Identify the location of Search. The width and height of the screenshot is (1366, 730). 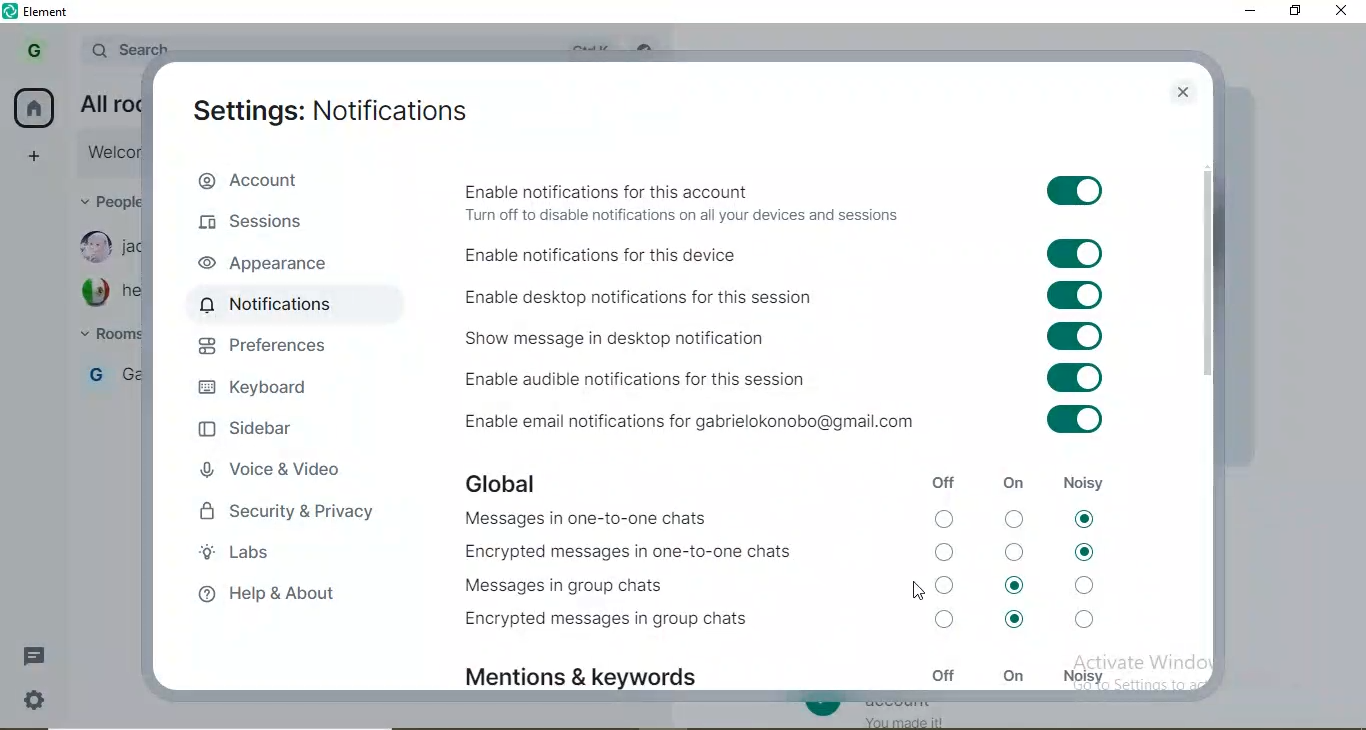
(126, 49).